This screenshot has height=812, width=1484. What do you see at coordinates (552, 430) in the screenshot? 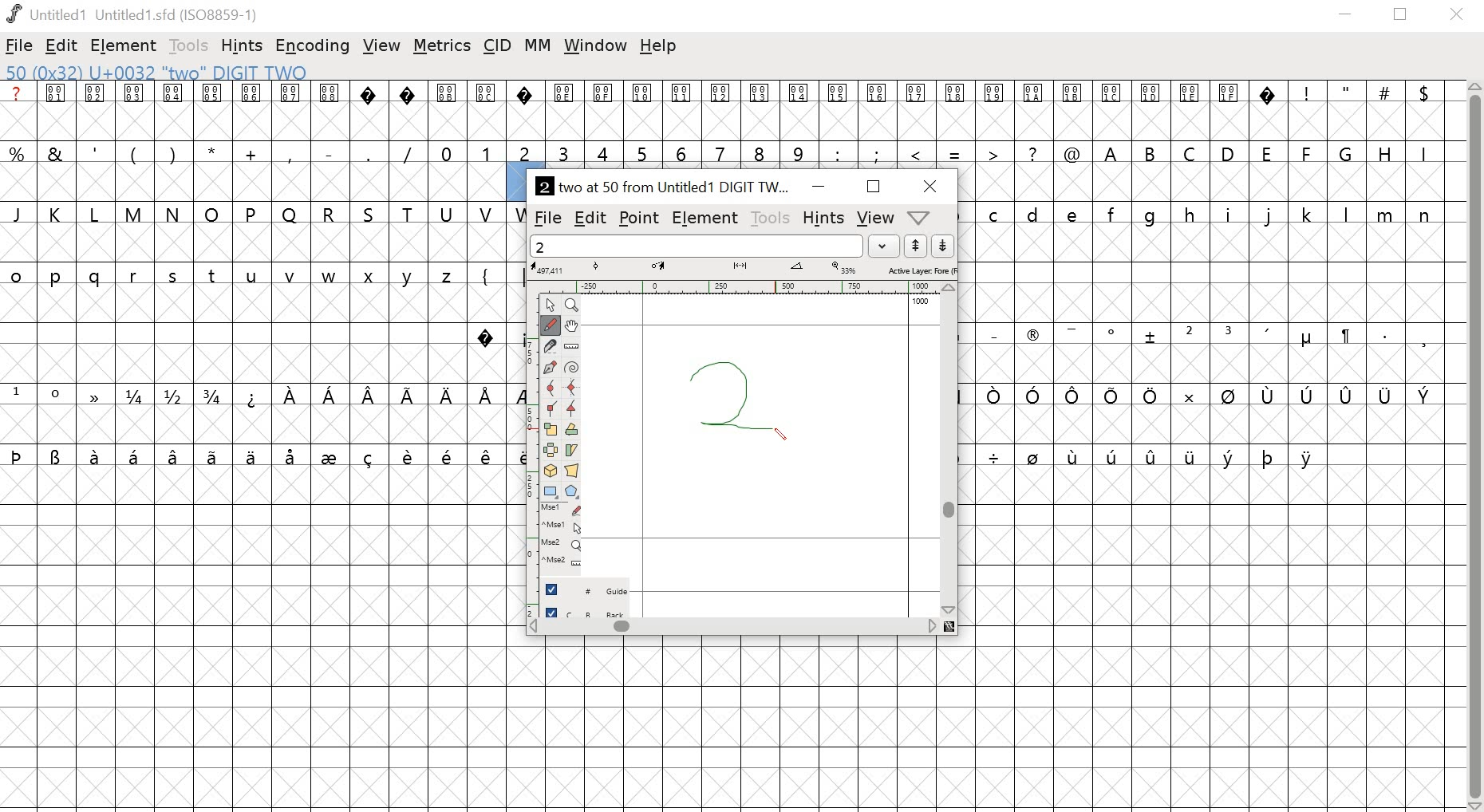
I see `scale` at bounding box center [552, 430].